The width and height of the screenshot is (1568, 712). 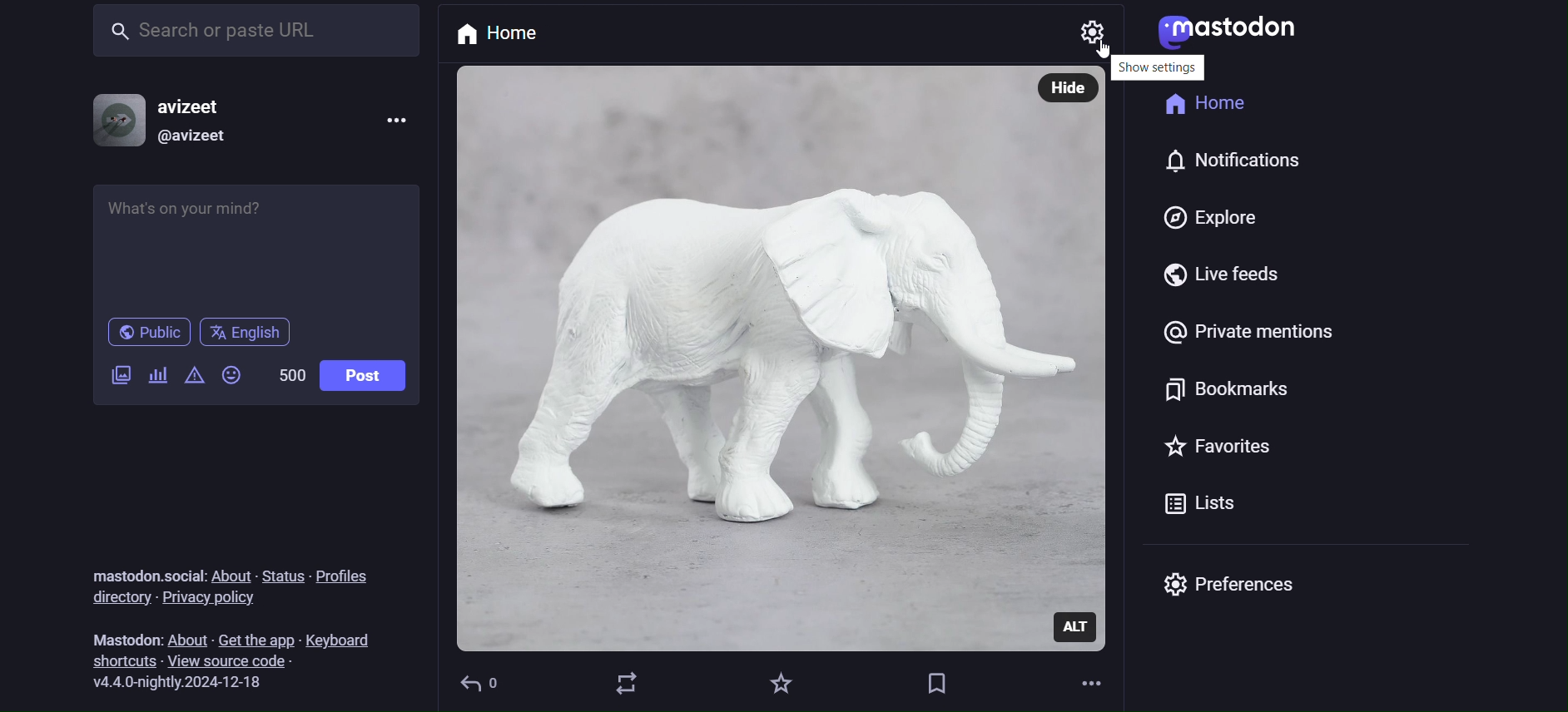 What do you see at coordinates (505, 32) in the screenshot?
I see `Home` at bounding box center [505, 32].